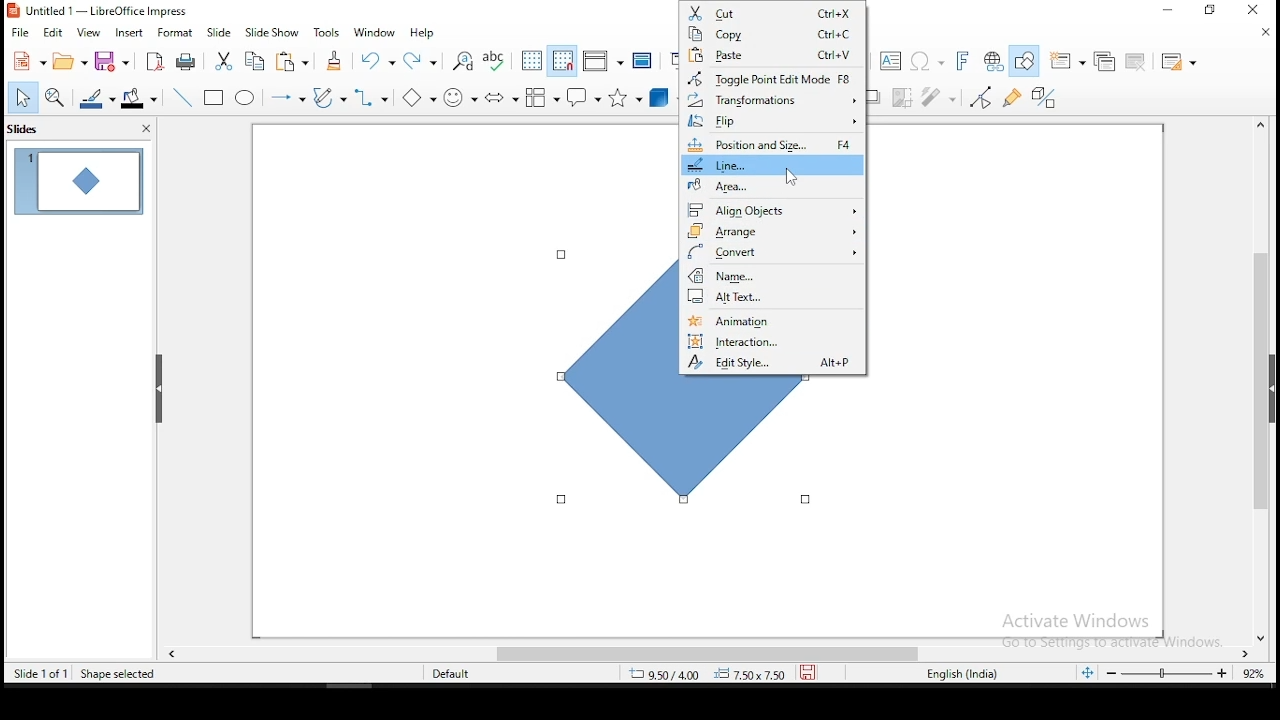  I want to click on clone formatting, so click(339, 64).